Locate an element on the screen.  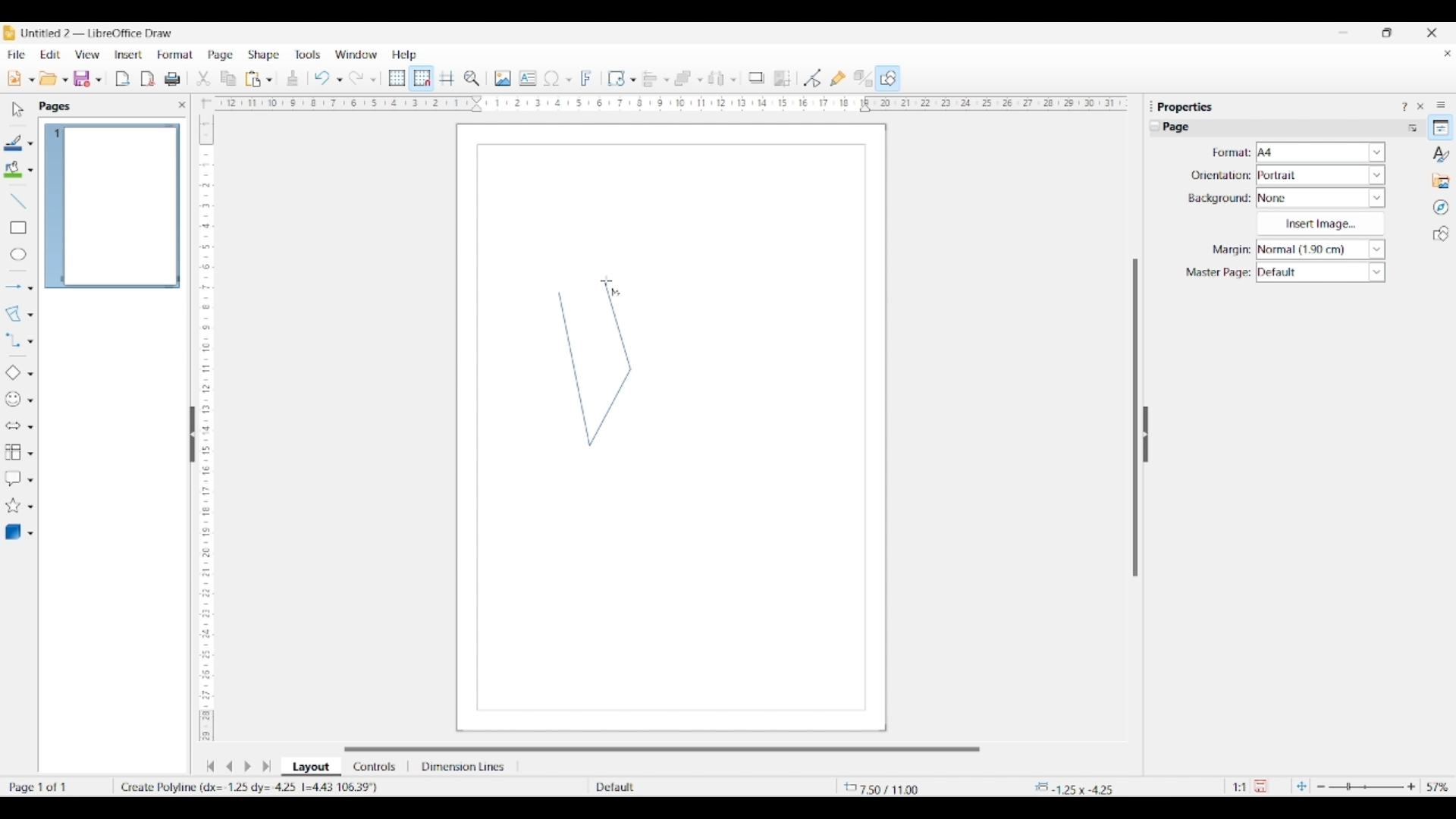
Dimensions of shape within the canvas changed is located at coordinates (1083, 787).